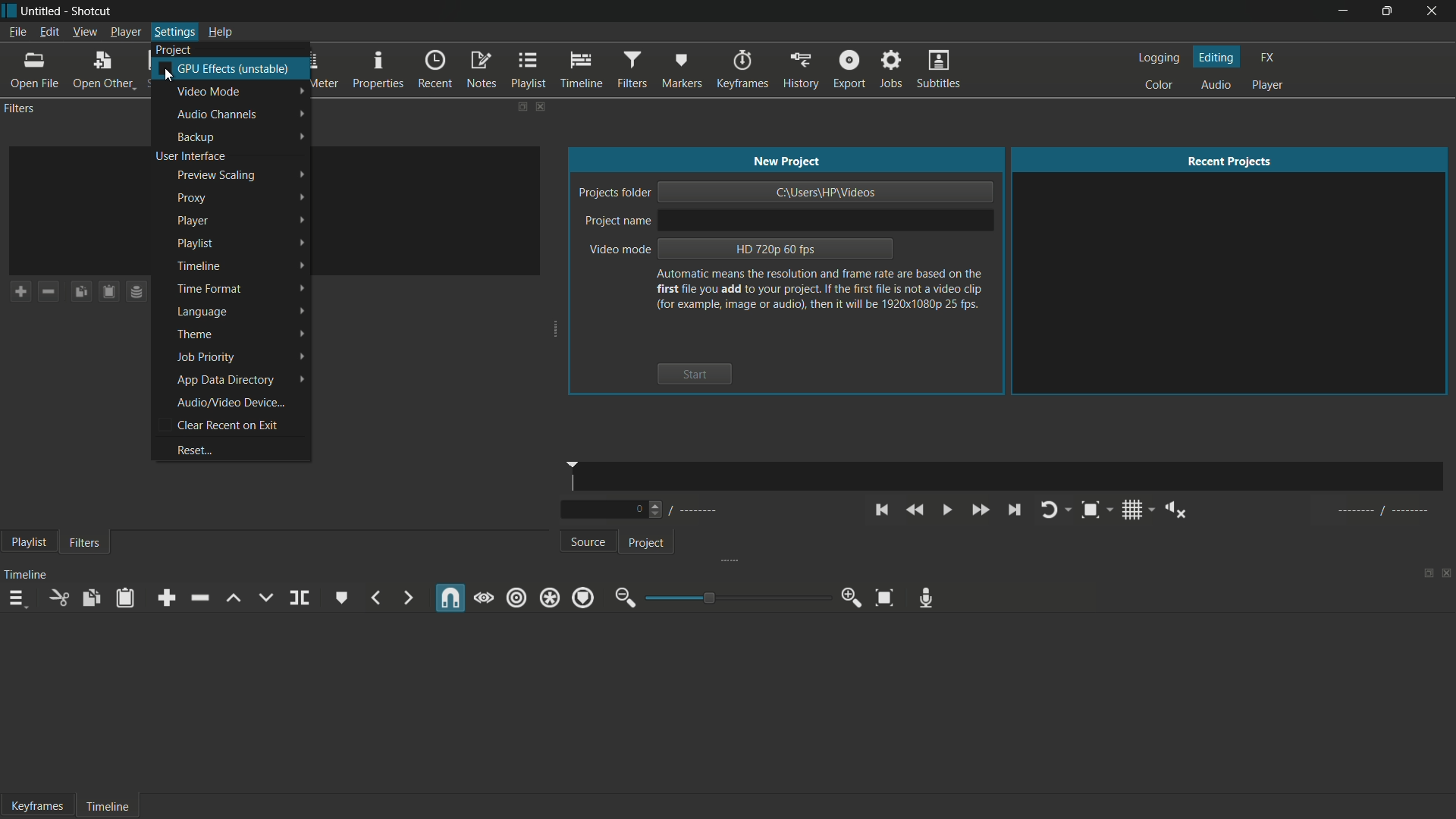 The width and height of the screenshot is (1456, 819). What do you see at coordinates (618, 250) in the screenshot?
I see `video mode` at bounding box center [618, 250].